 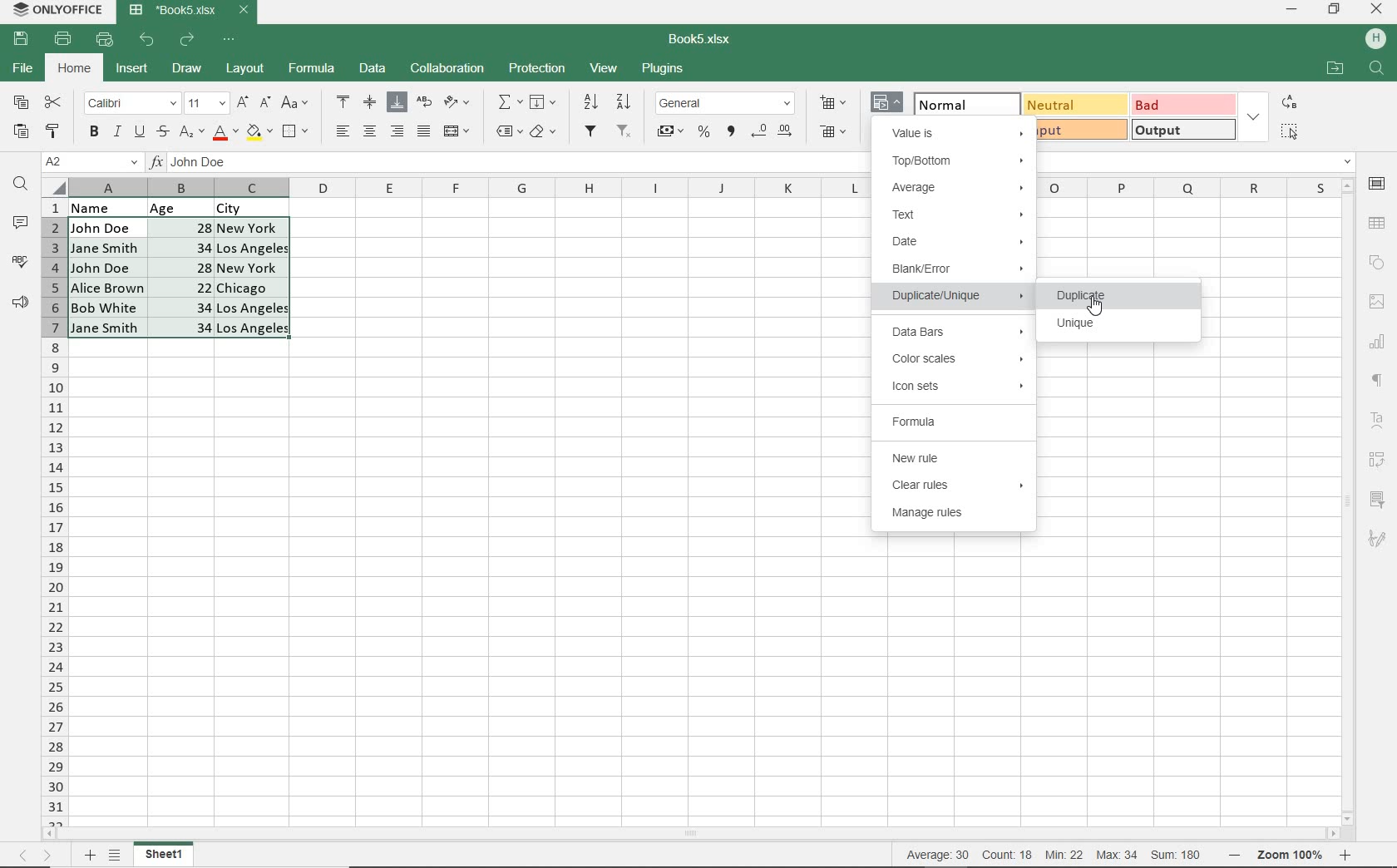 What do you see at coordinates (243, 70) in the screenshot?
I see `LAYOUT` at bounding box center [243, 70].